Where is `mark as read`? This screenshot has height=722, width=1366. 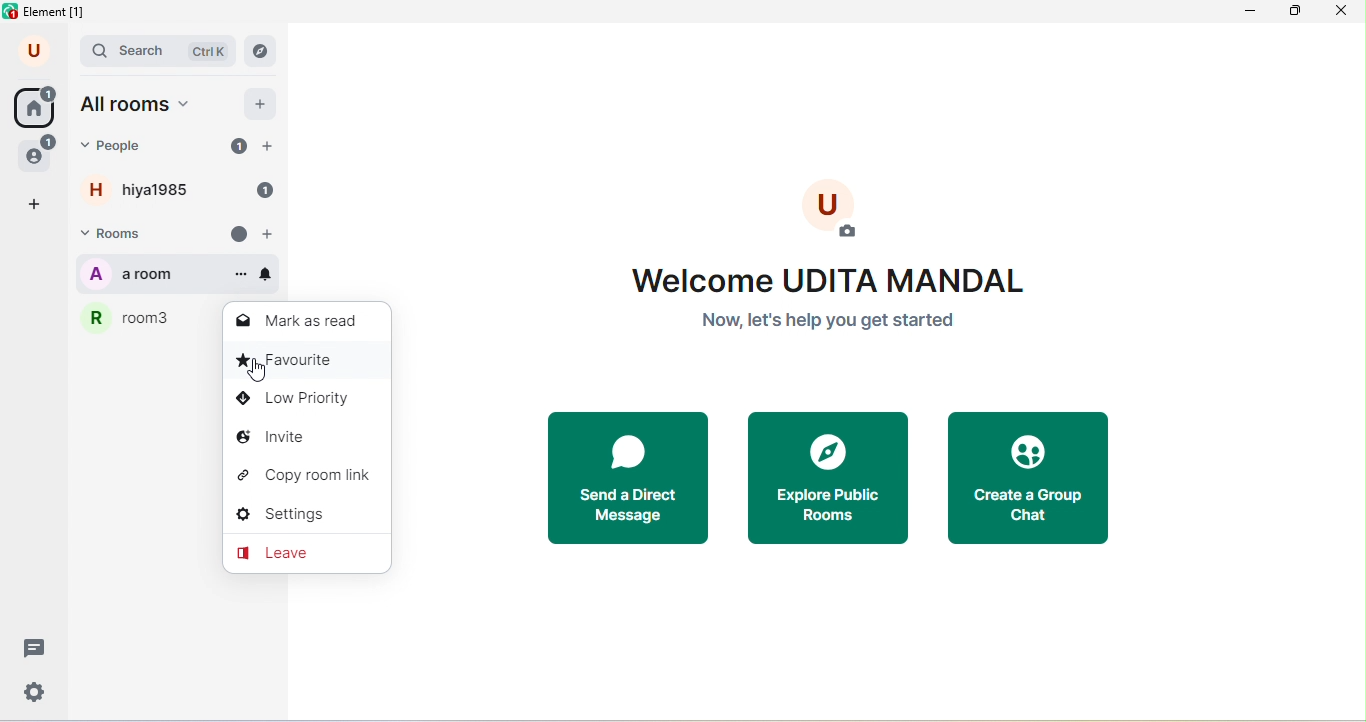
mark as read is located at coordinates (301, 322).